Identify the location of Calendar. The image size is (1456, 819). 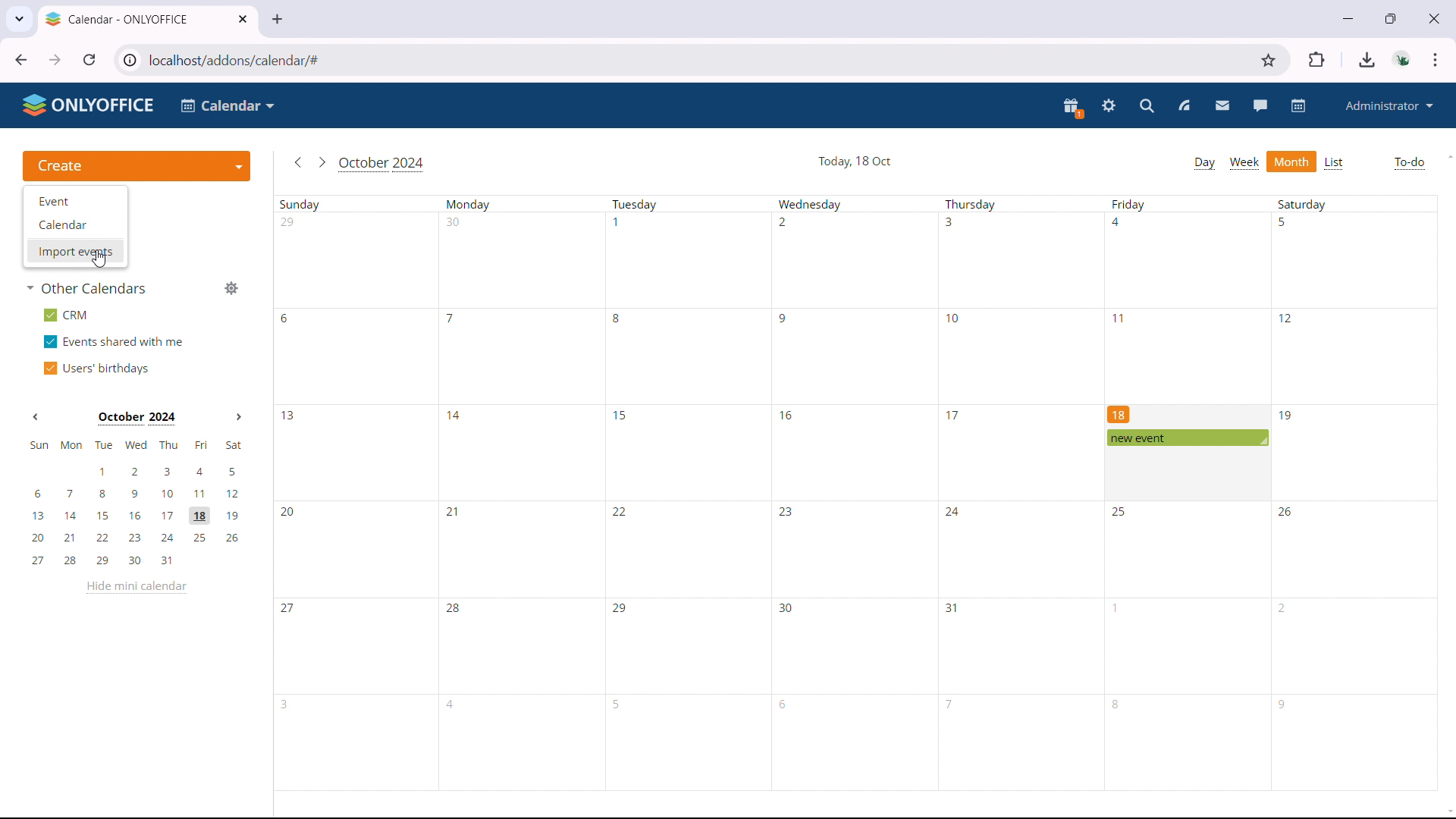
(229, 105).